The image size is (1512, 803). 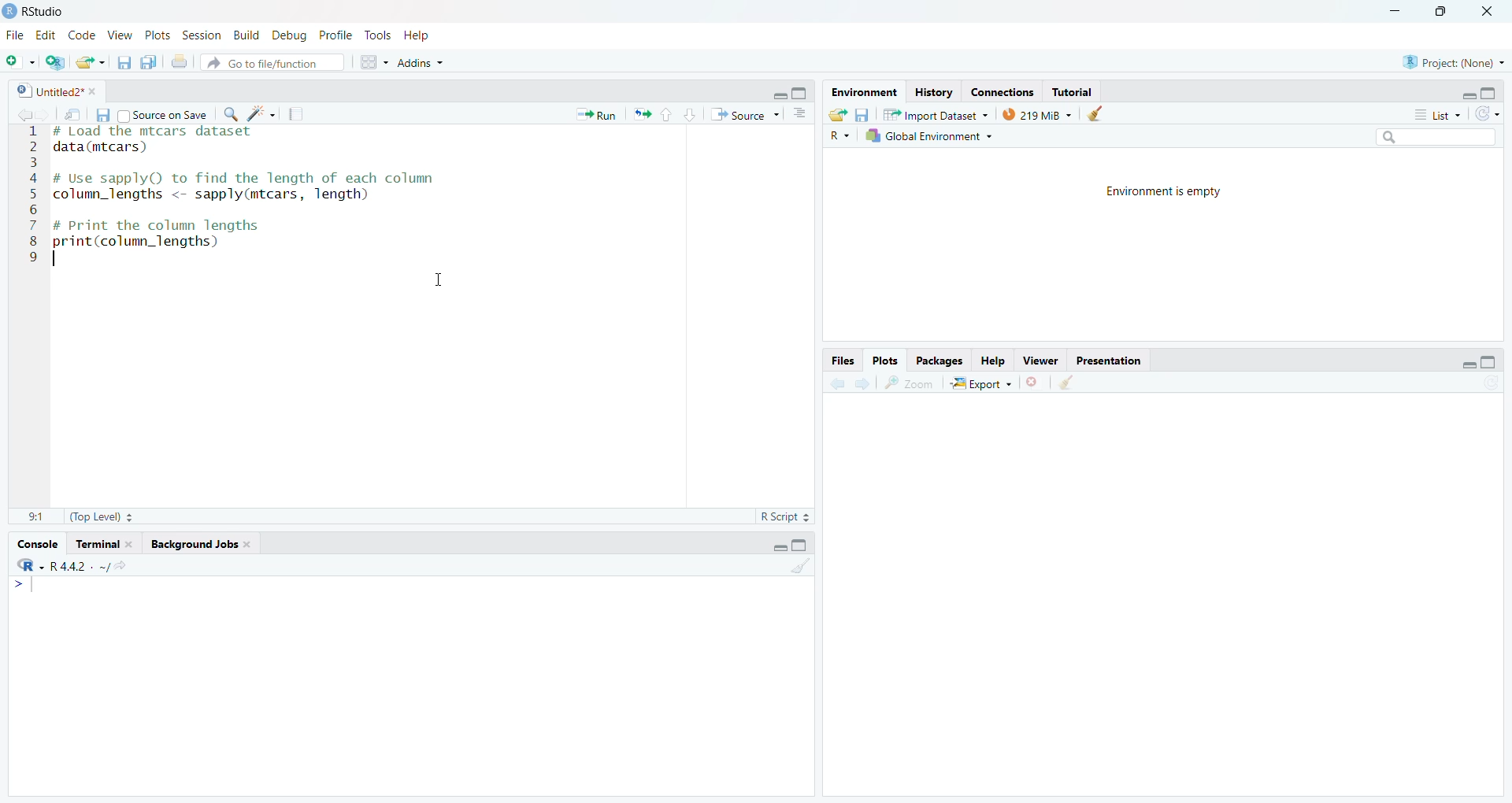 I want to click on Terminal, so click(x=104, y=544).